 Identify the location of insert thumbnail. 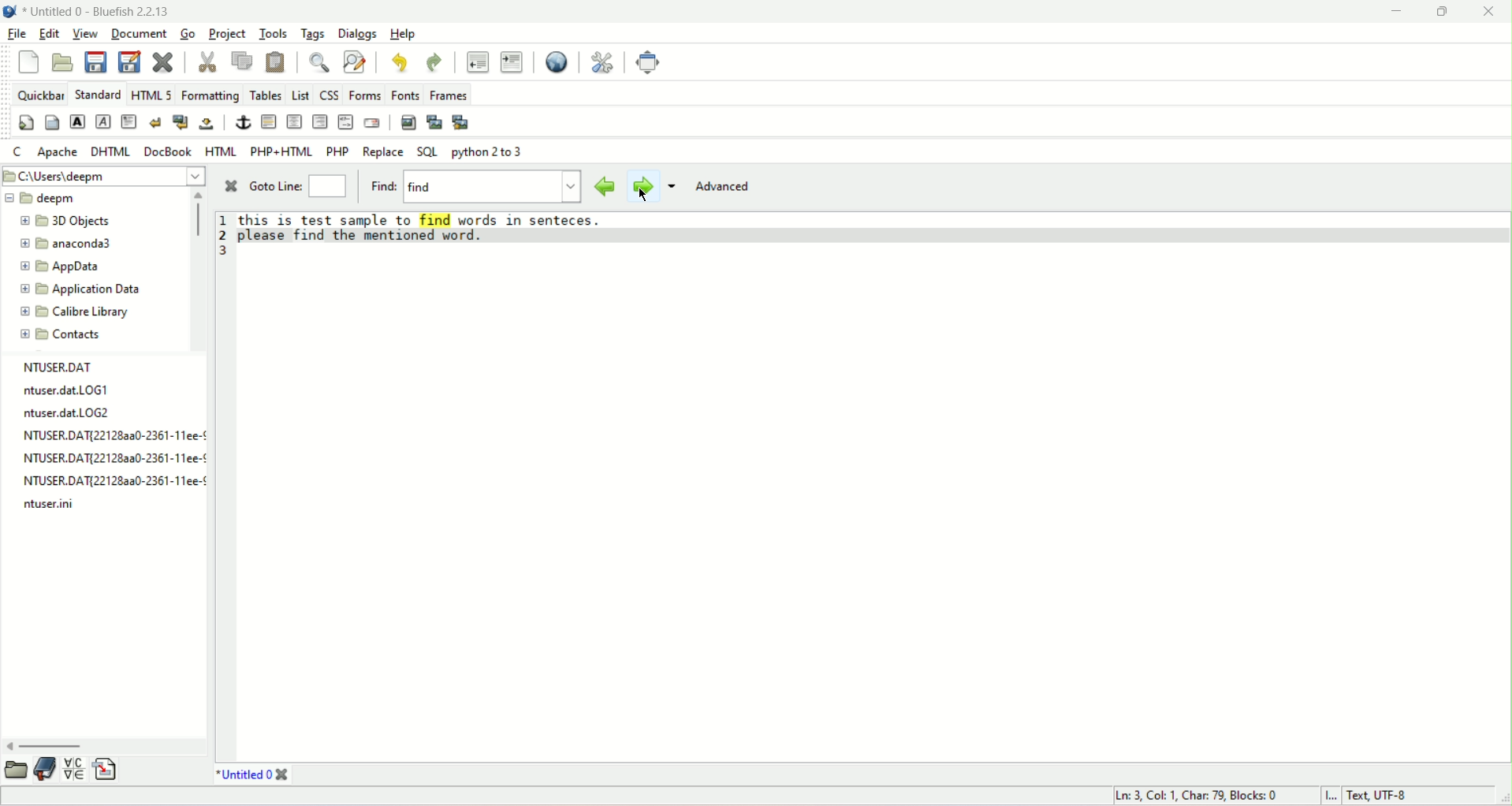
(434, 122).